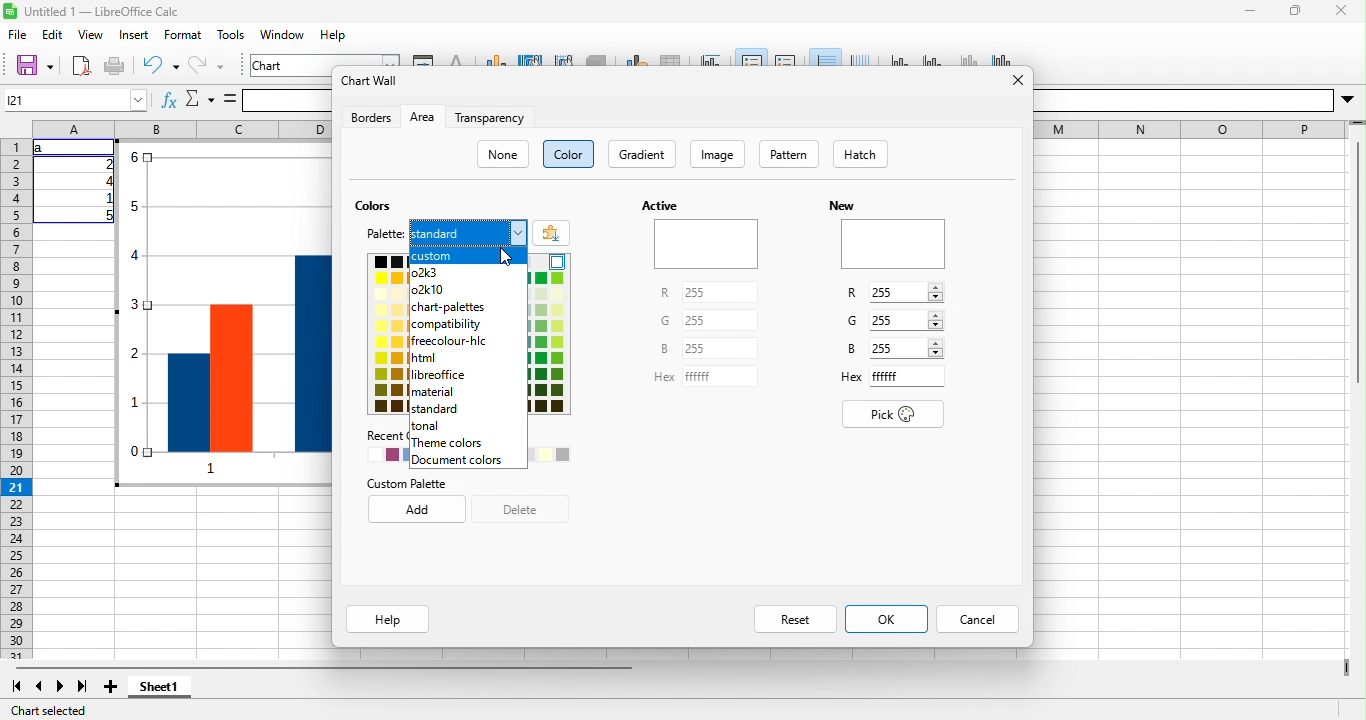 This screenshot has width=1366, height=720. I want to click on Hex, so click(664, 377).